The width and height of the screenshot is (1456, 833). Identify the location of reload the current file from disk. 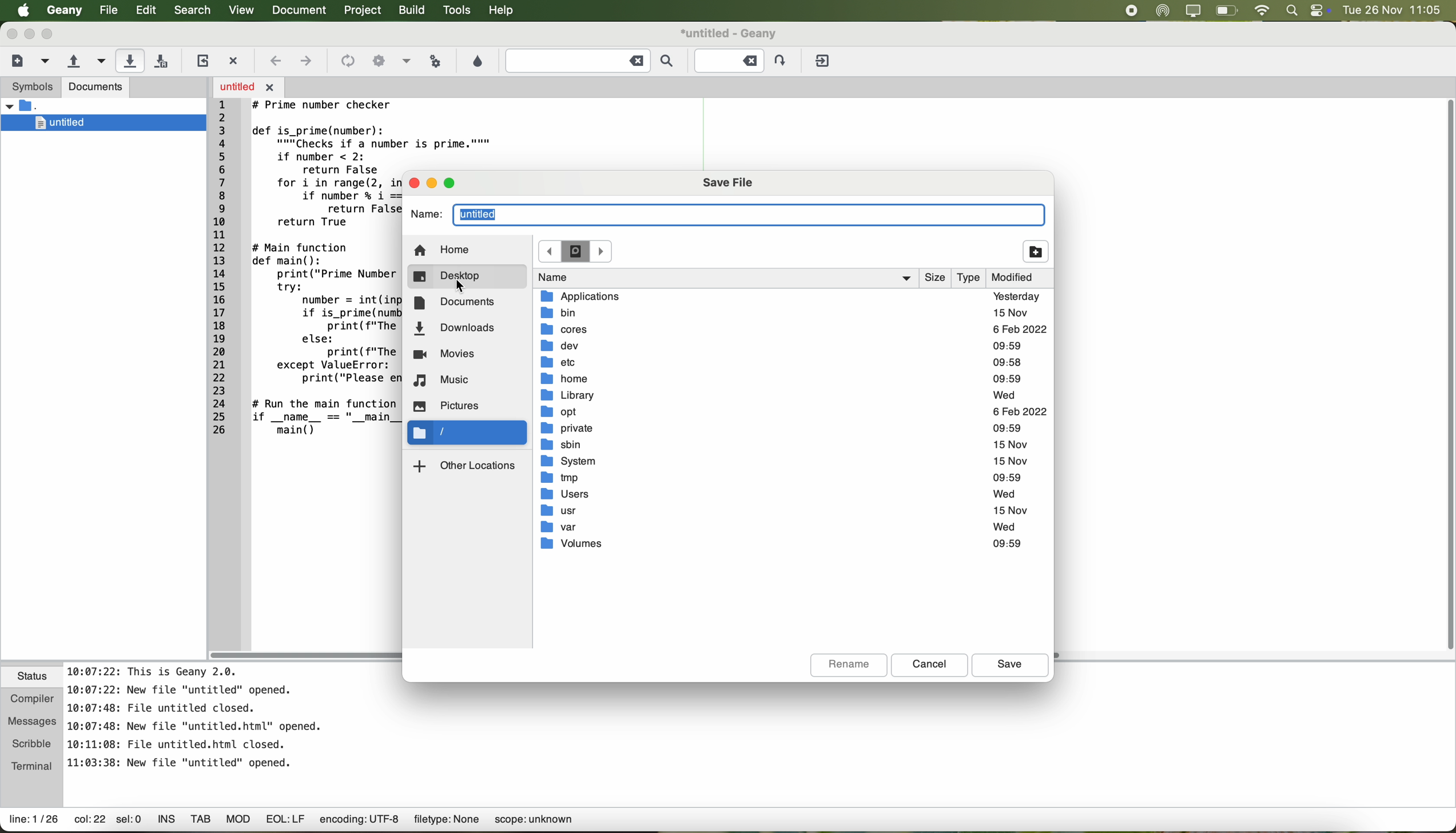
(202, 61).